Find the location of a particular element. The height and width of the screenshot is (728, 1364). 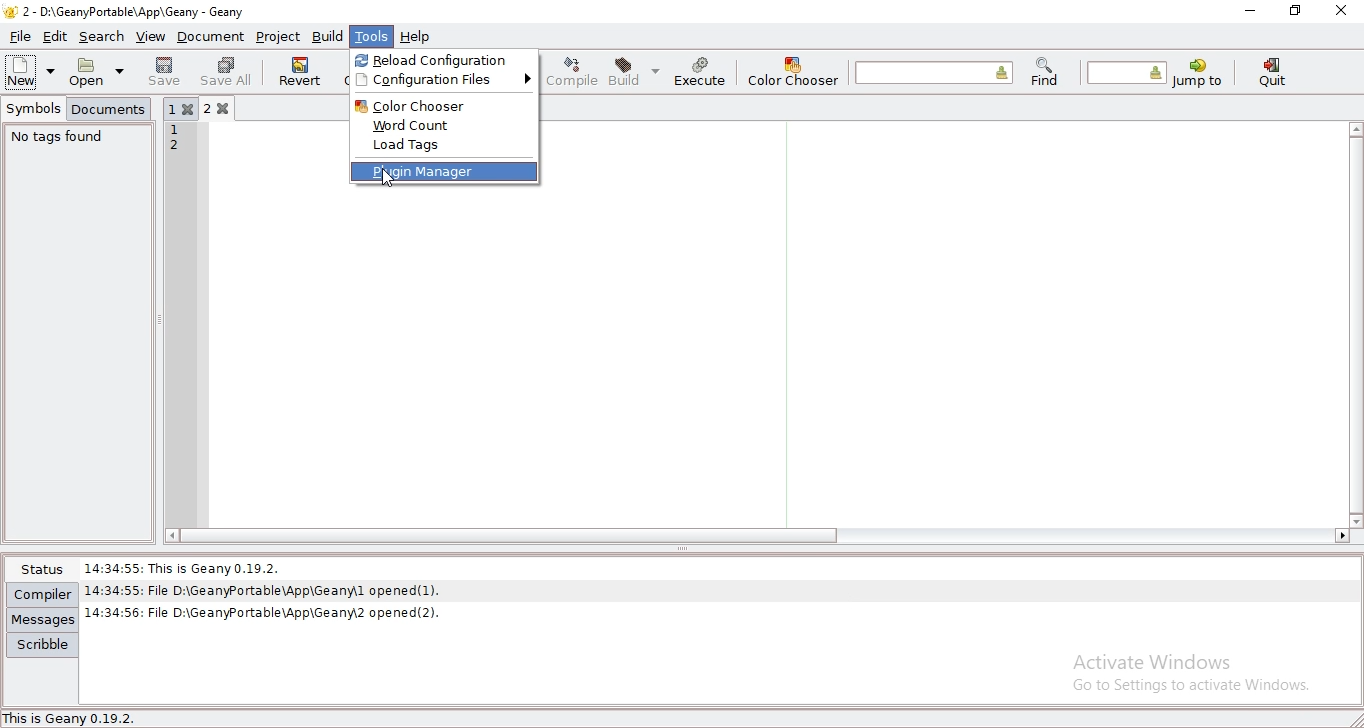

help is located at coordinates (417, 38).